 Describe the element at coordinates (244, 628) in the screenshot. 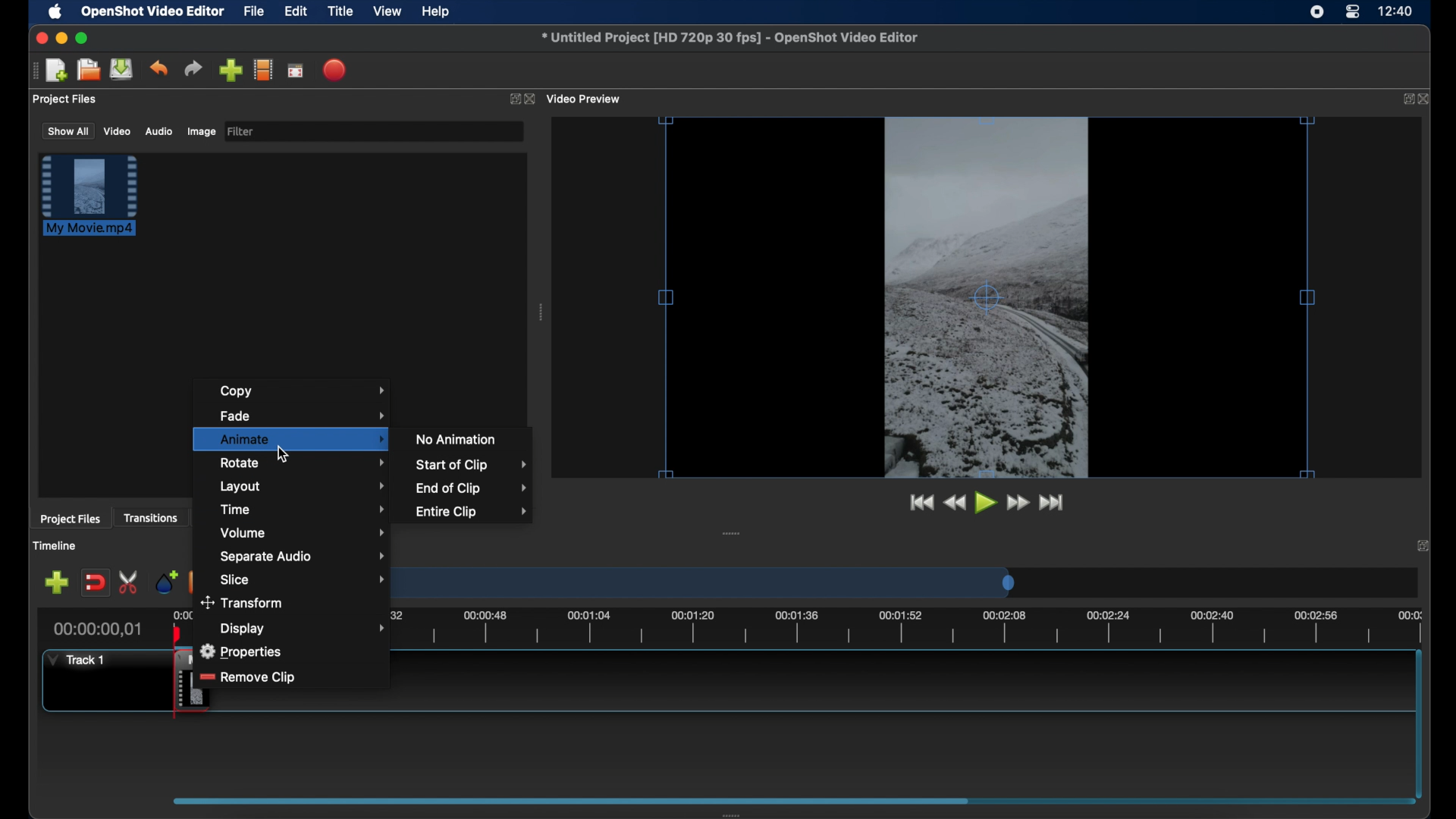

I see `Display` at that location.